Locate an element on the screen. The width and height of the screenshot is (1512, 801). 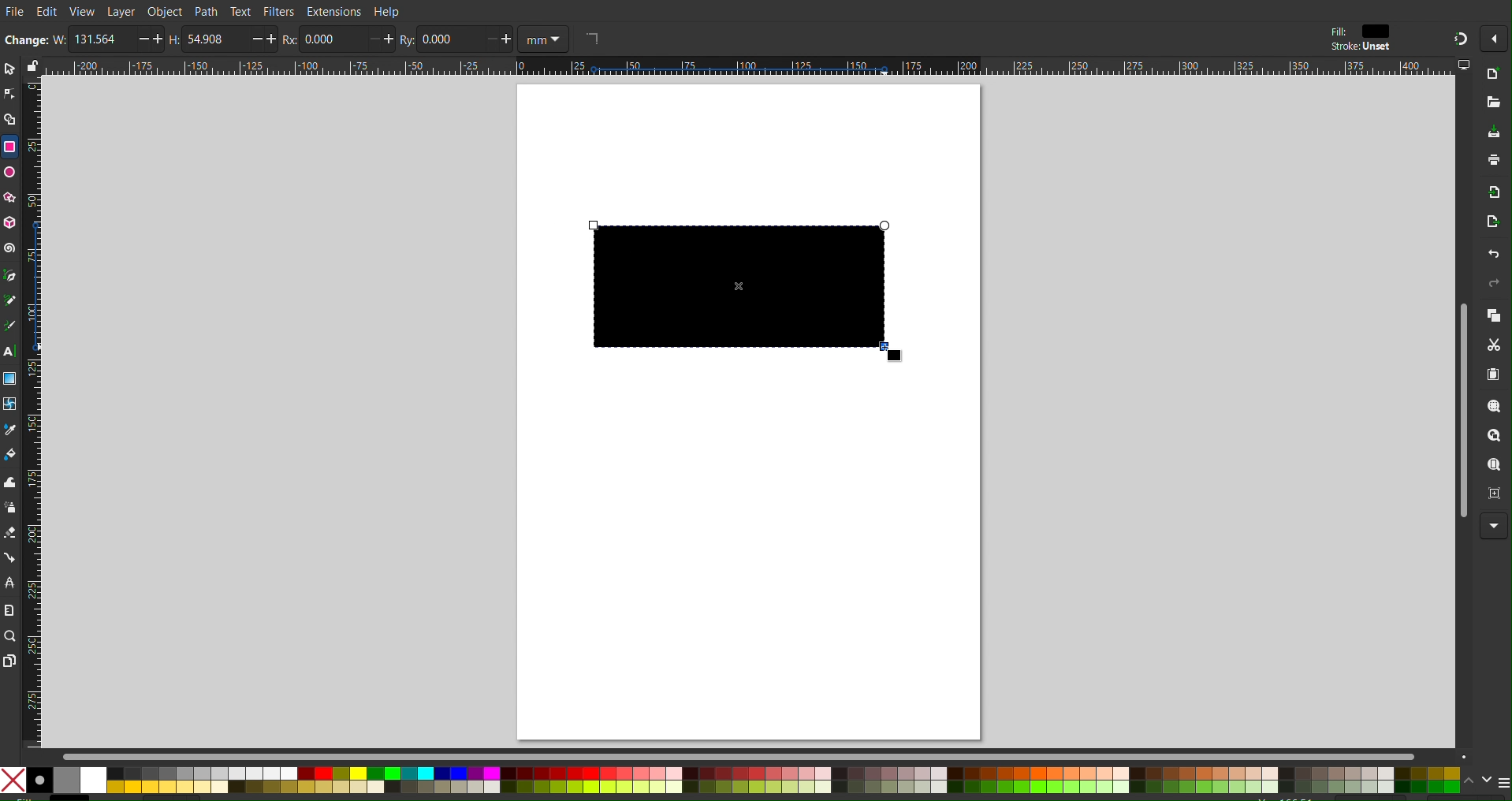
Undo is located at coordinates (1484, 256).